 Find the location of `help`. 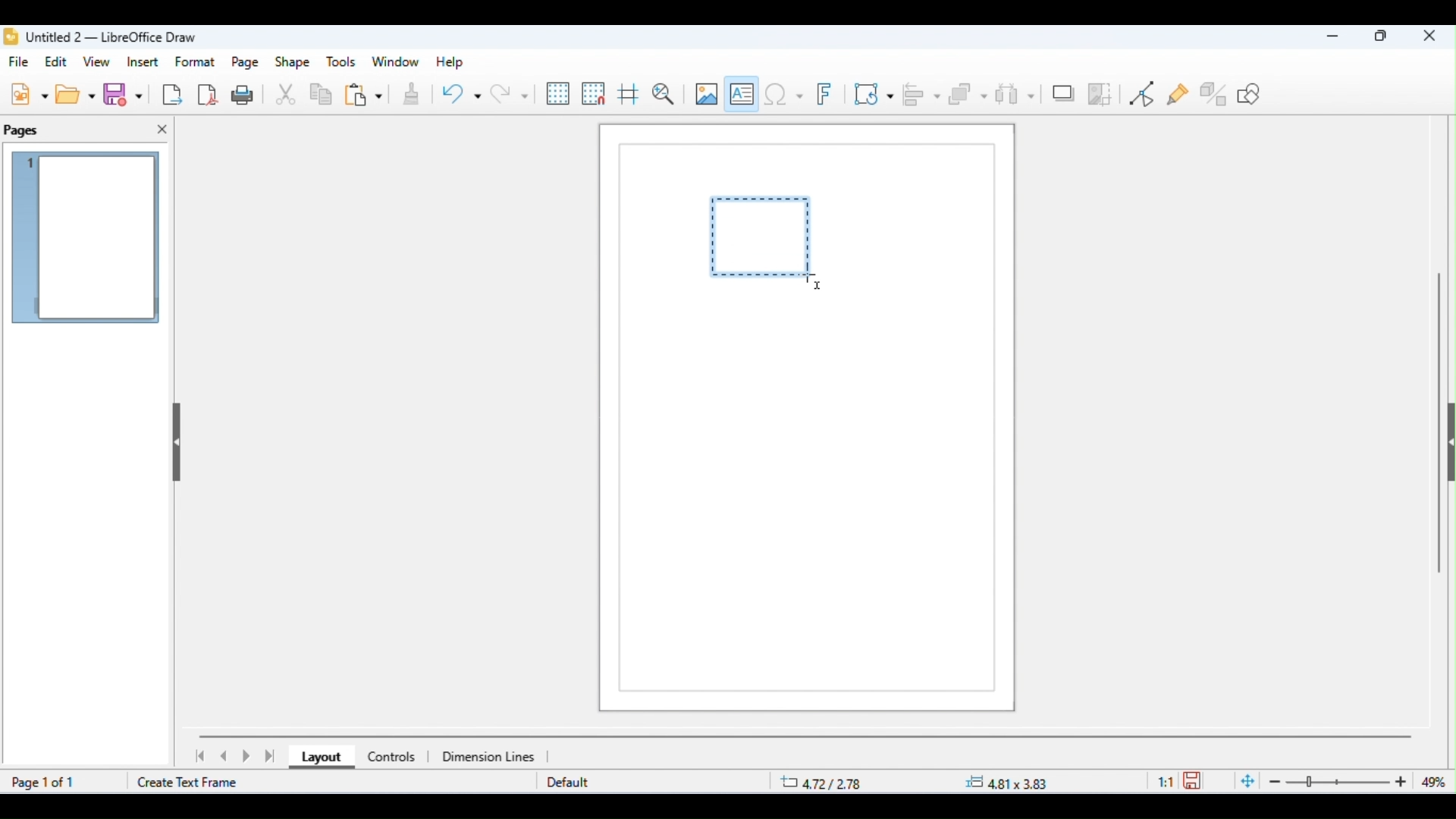

help is located at coordinates (447, 62).